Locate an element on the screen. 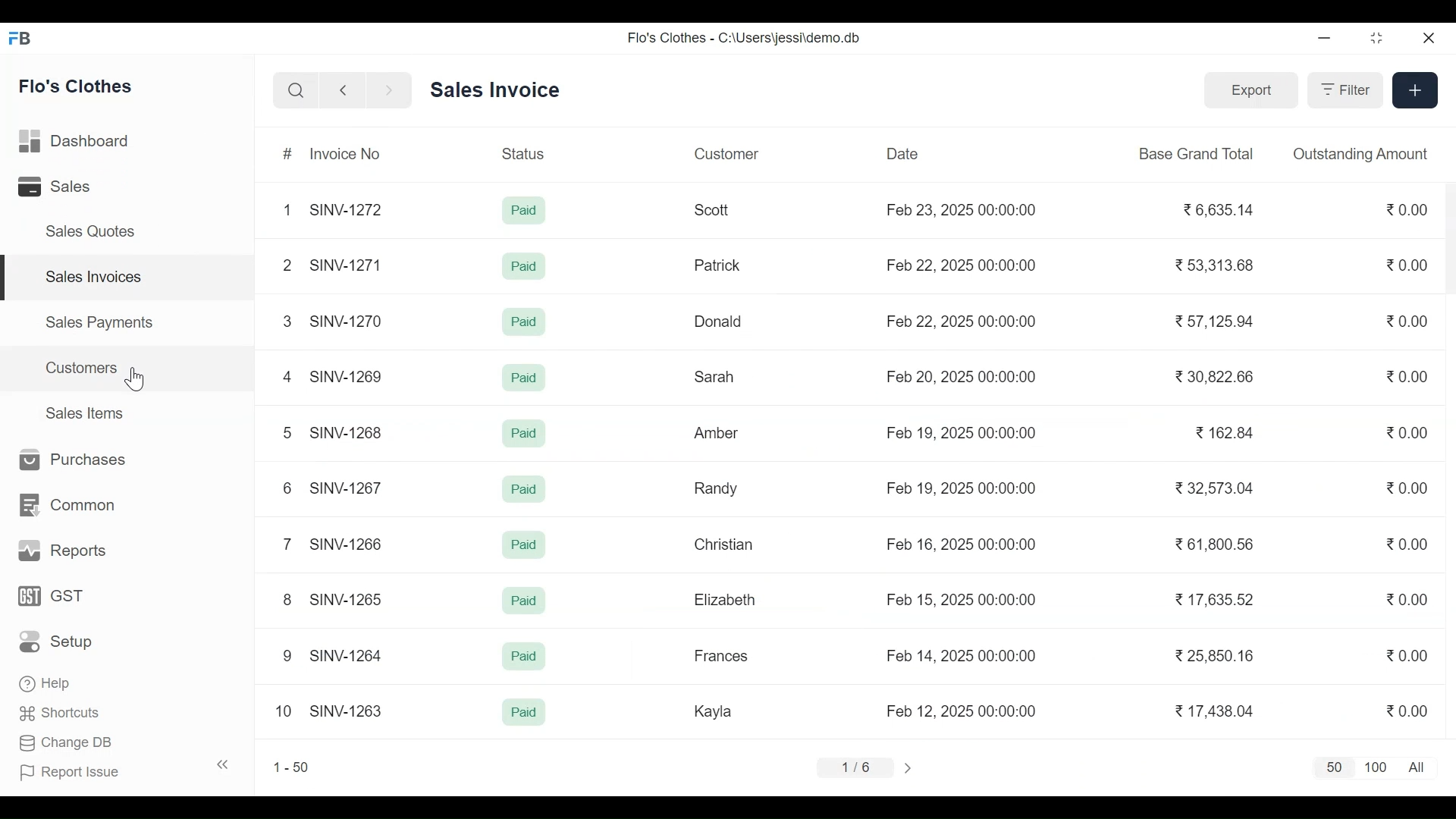 The image size is (1456, 819). SINV-1266 is located at coordinates (347, 544).